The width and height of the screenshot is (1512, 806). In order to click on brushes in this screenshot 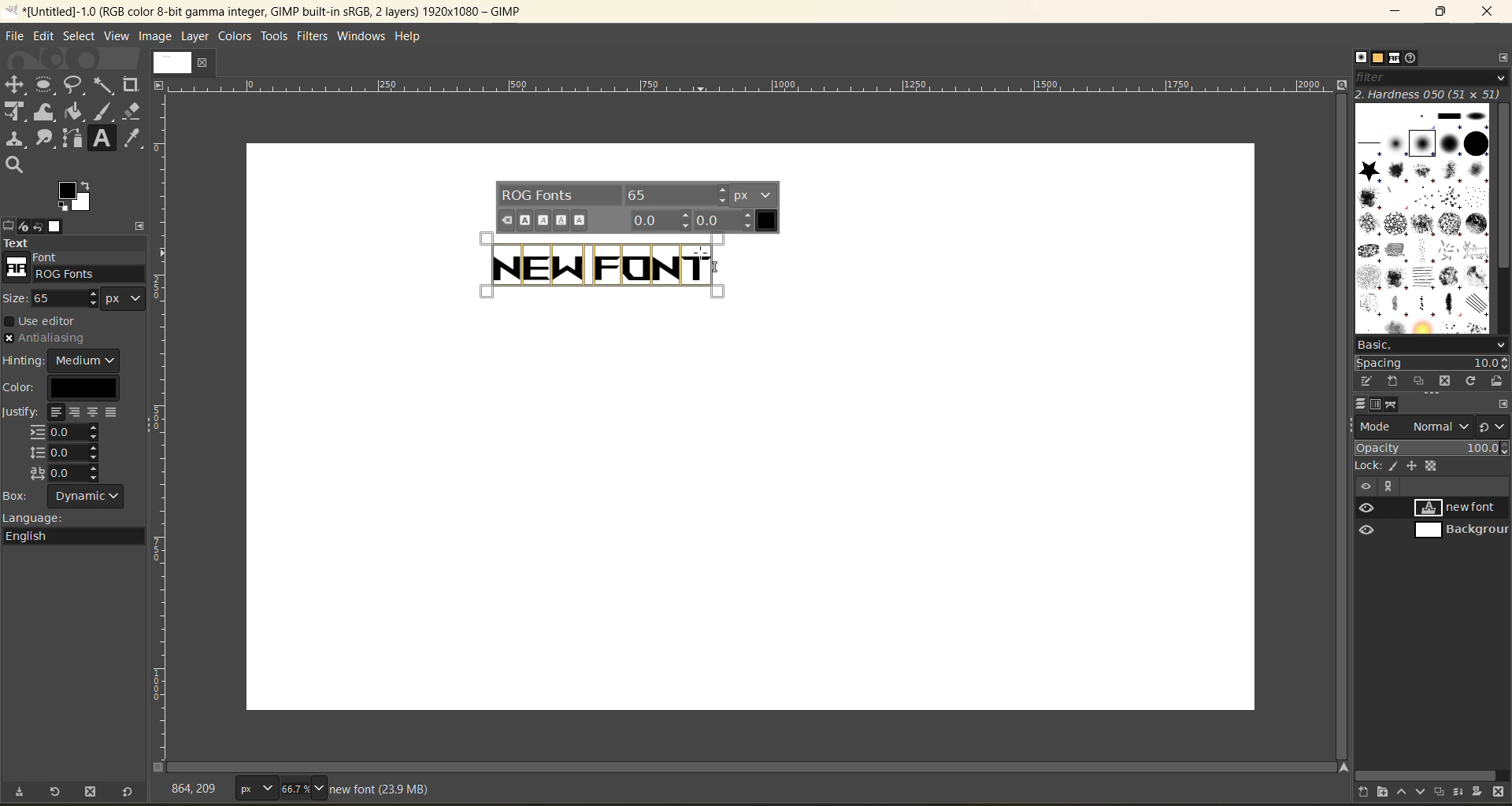, I will do `click(1423, 221)`.